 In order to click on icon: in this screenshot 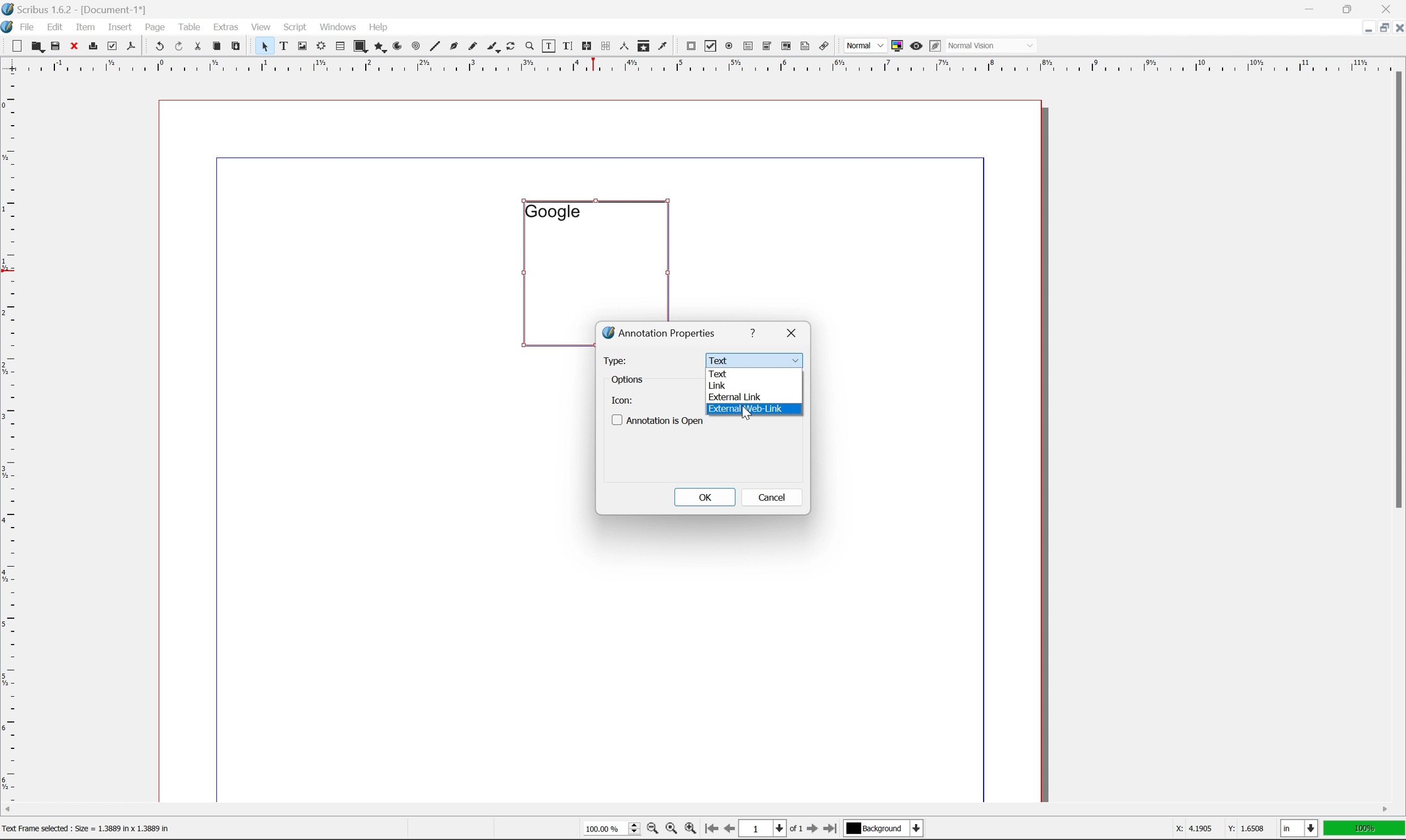, I will do `click(622, 399)`.